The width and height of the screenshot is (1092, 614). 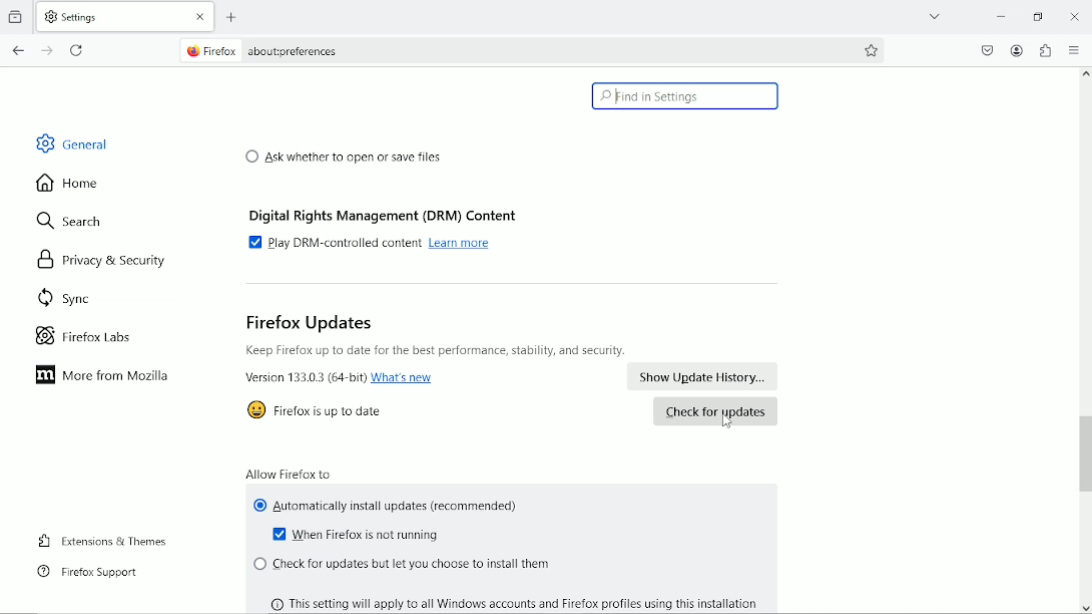 What do you see at coordinates (105, 377) in the screenshot?
I see `more from mozilla` at bounding box center [105, 377].